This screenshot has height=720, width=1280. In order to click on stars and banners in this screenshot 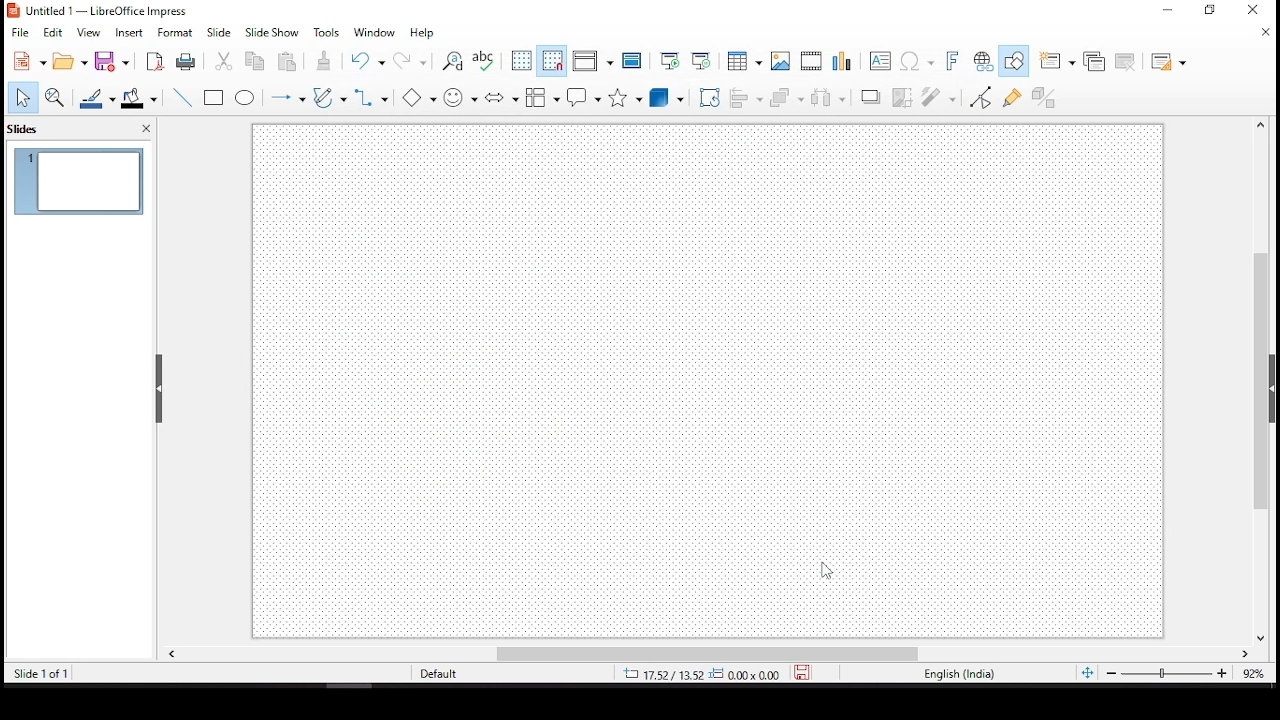, I will do `click(626, 96)`.